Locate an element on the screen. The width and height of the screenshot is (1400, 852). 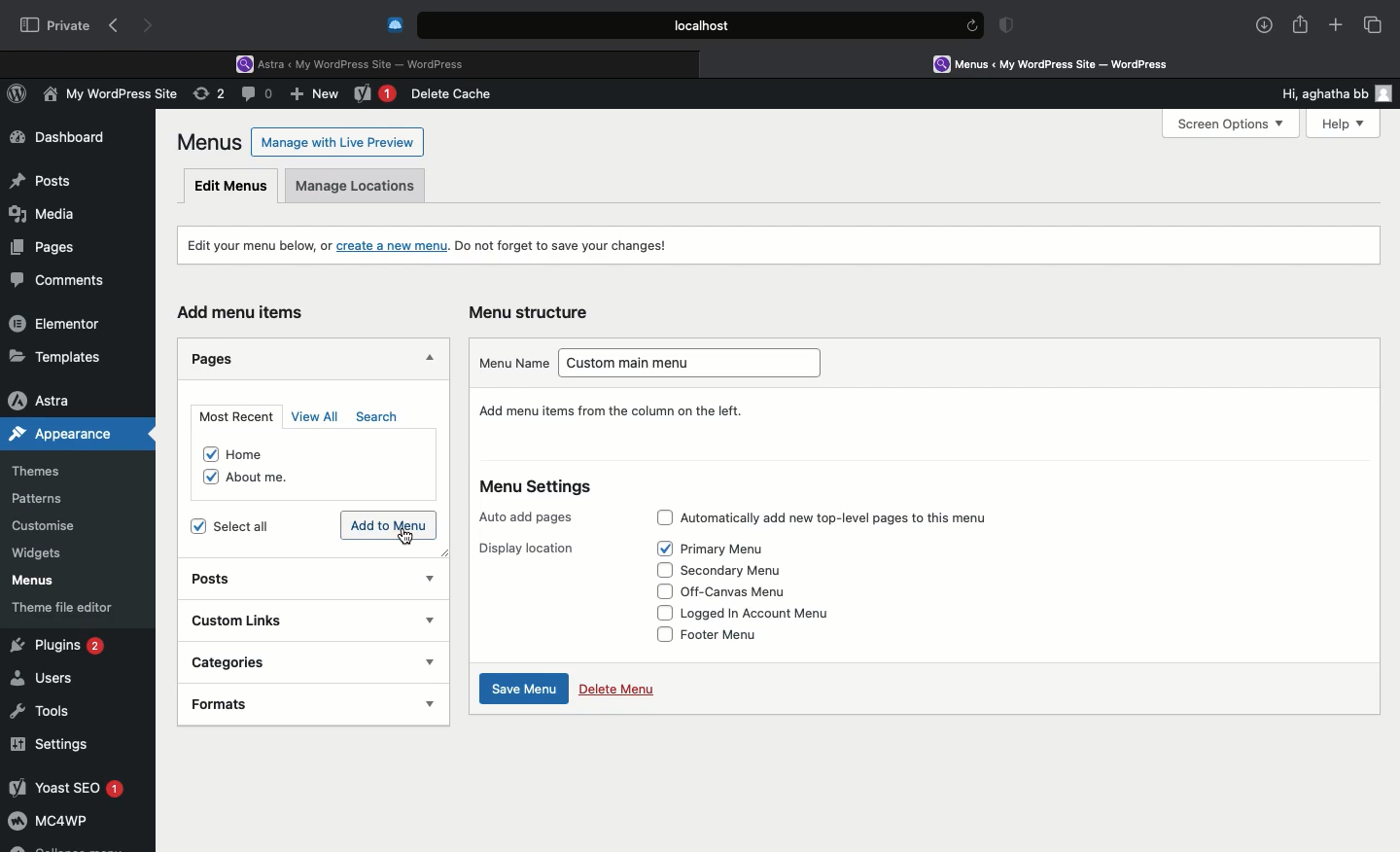
Media is located at coordinates (45, 211).